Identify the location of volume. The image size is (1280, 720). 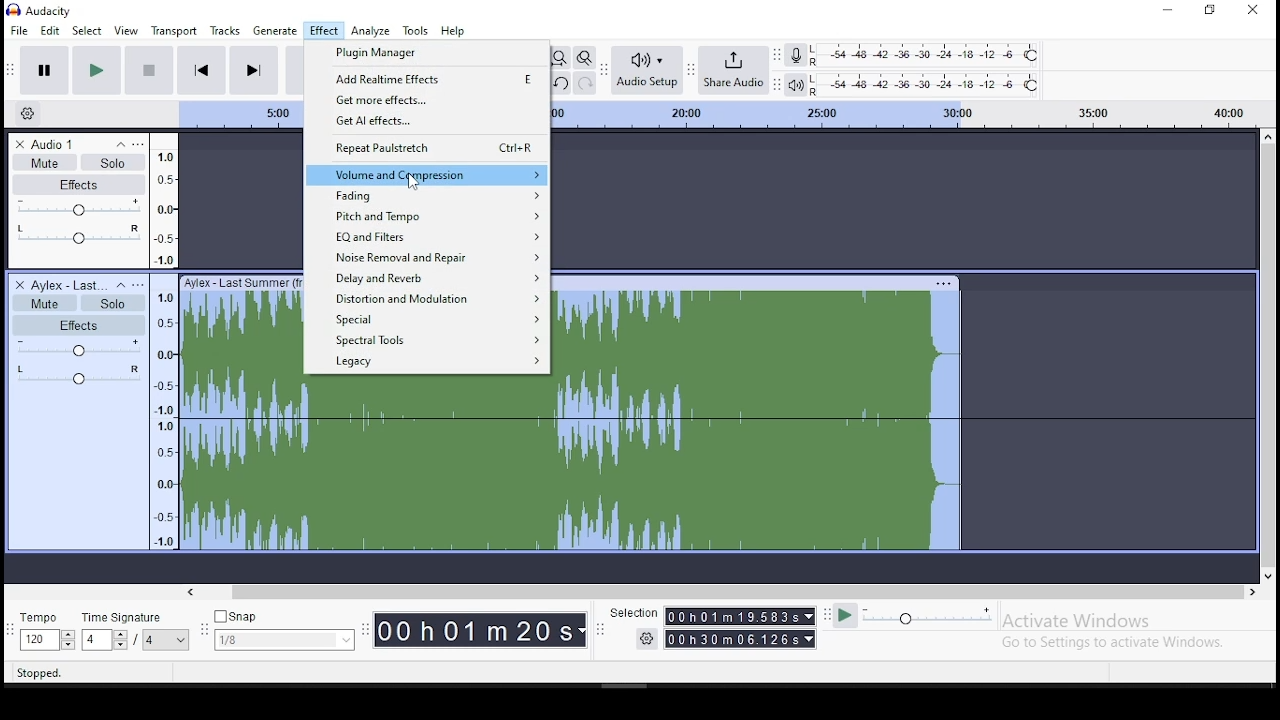
(77, 208).